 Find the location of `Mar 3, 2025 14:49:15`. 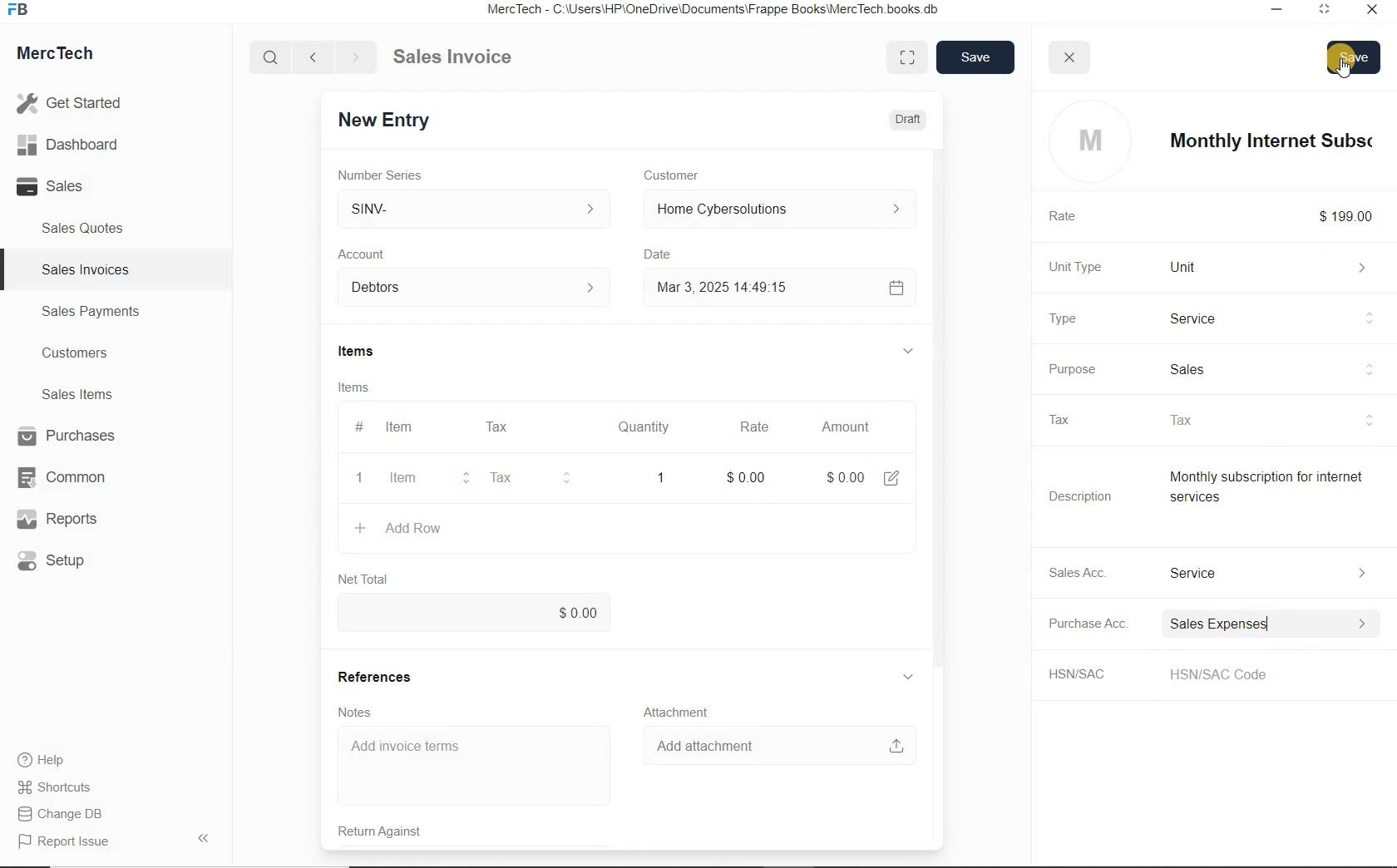

Mar 3, 2025 14:49:15 is located at coordinates (719, 289).